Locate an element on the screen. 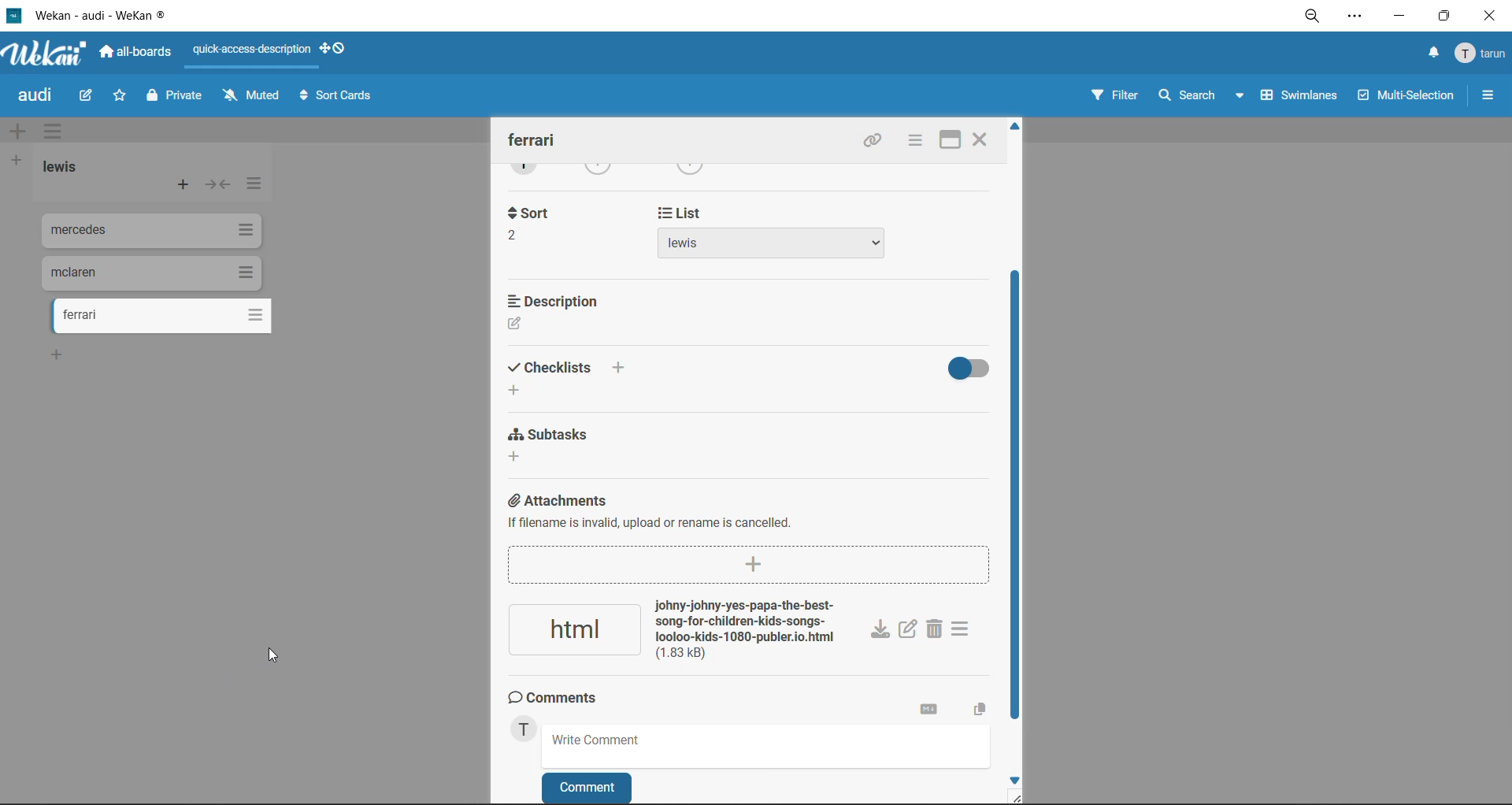  menu is located at coordinates (1479, 57).